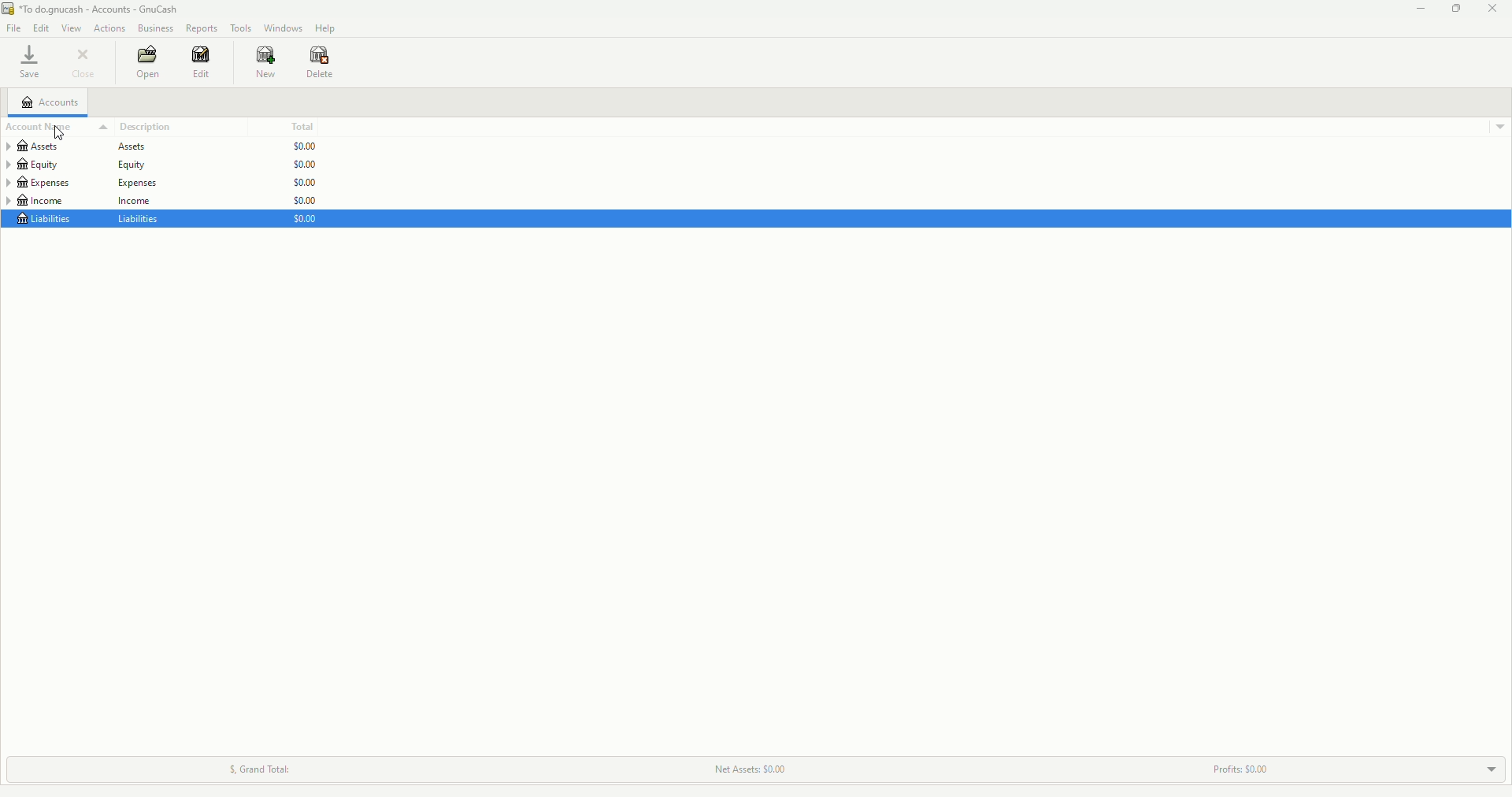 The image size is (1512, 797). I want to click on Accounts, so click(51, 100).